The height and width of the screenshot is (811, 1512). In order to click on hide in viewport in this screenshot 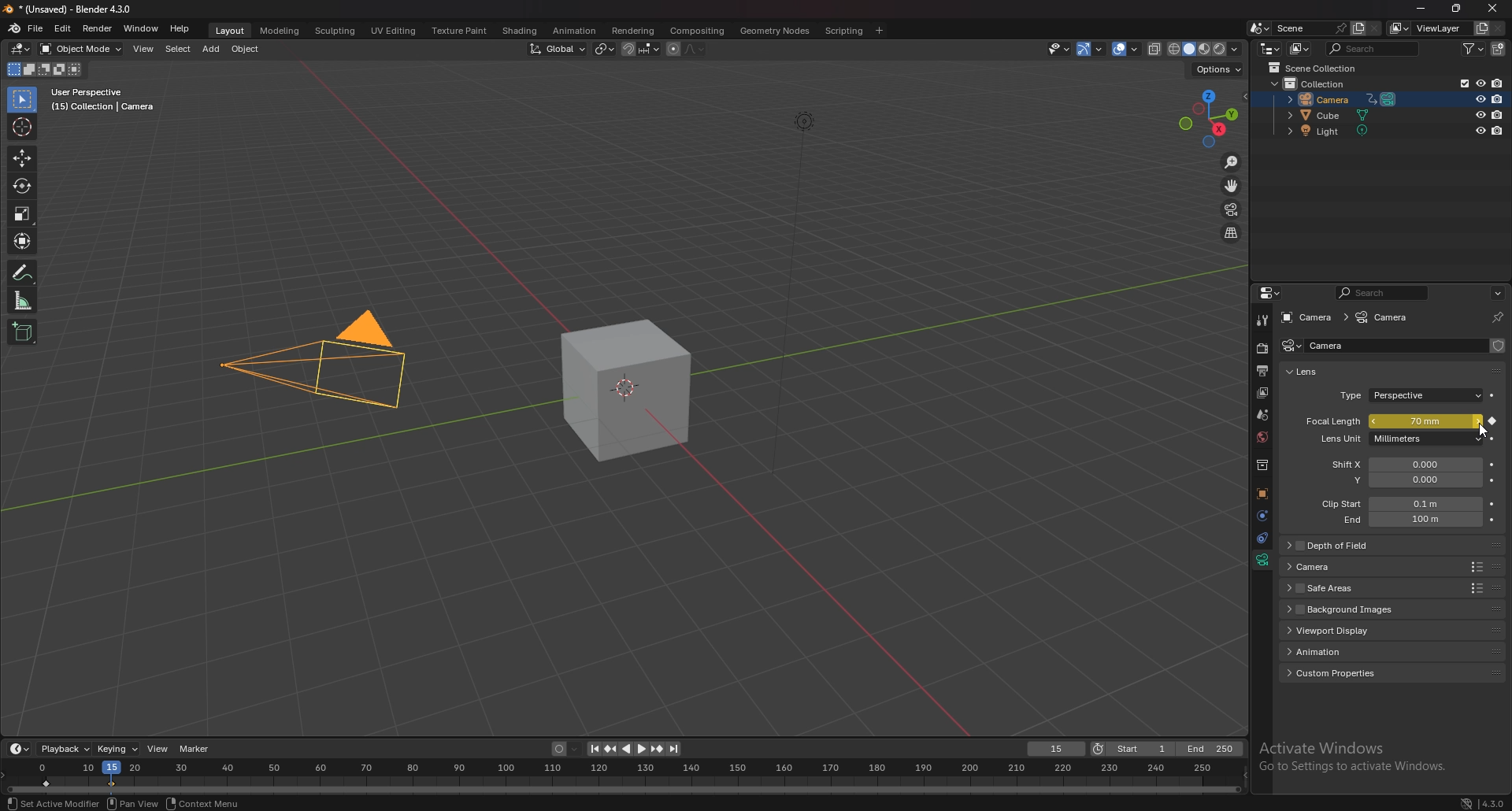, I will do `click(1480, 131)`.